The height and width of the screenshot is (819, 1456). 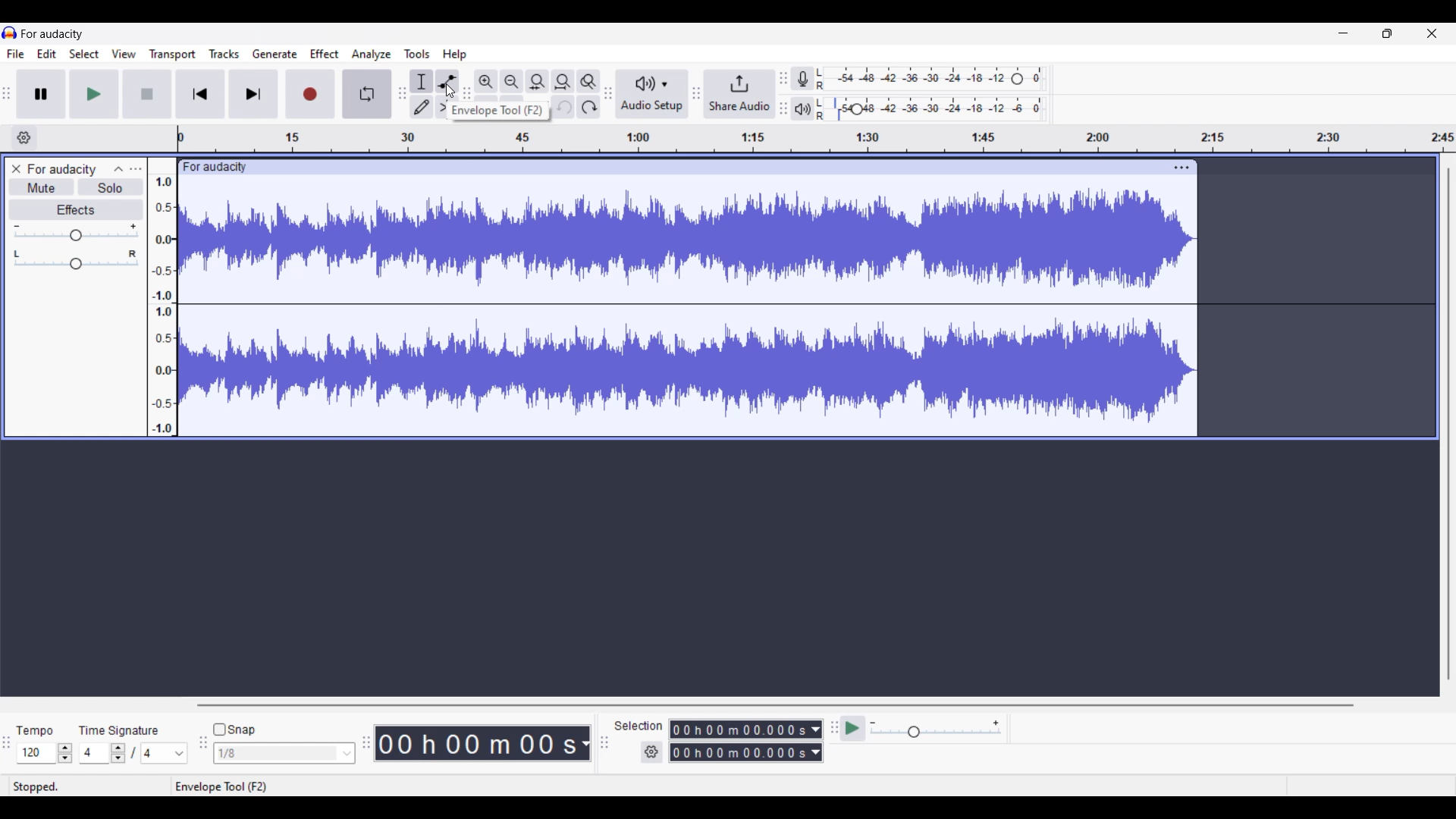 I want to click on Skip/Select to end, so click(x=254, y=94).